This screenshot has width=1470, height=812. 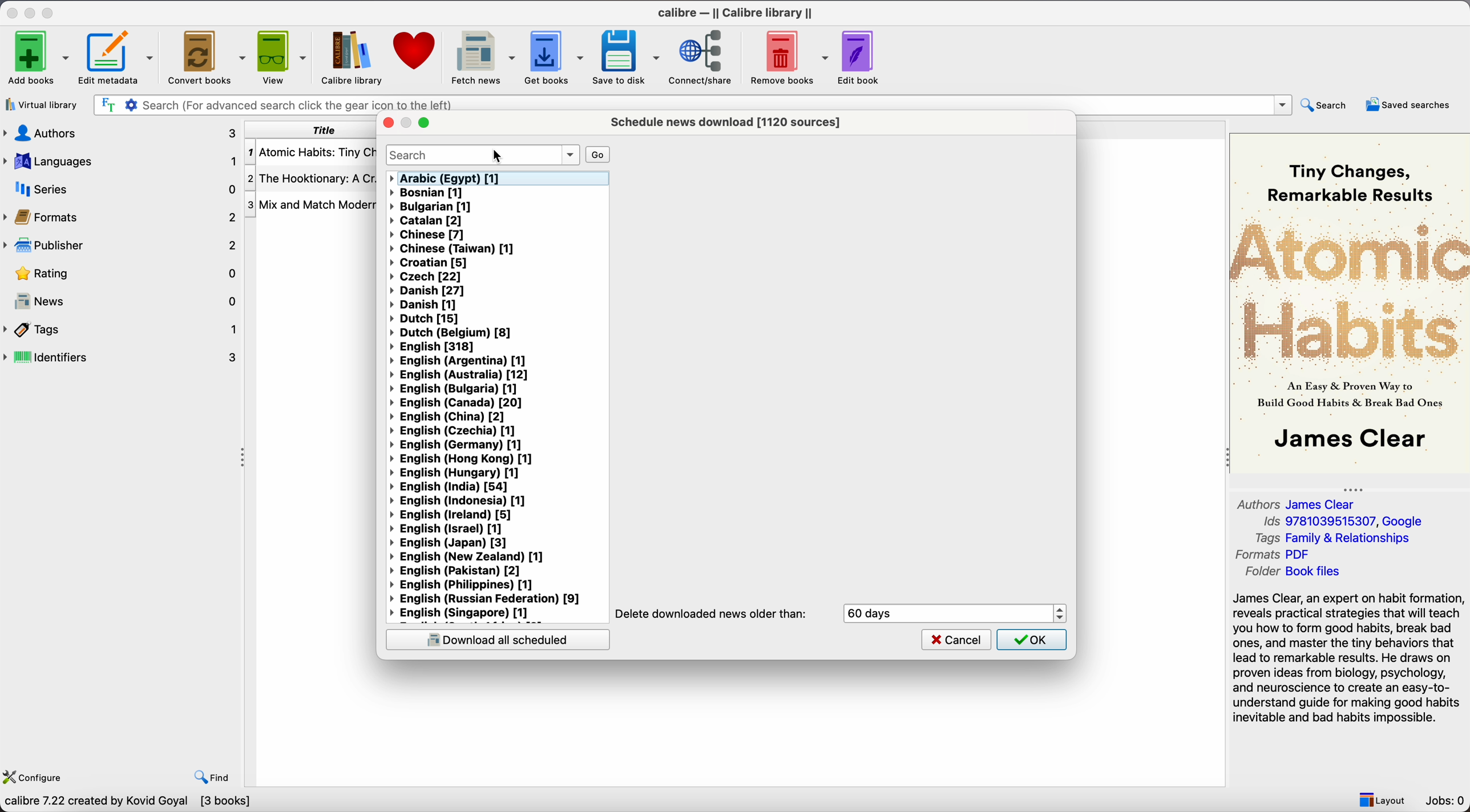 I want to click on convert books, so click(x=205, y=56).